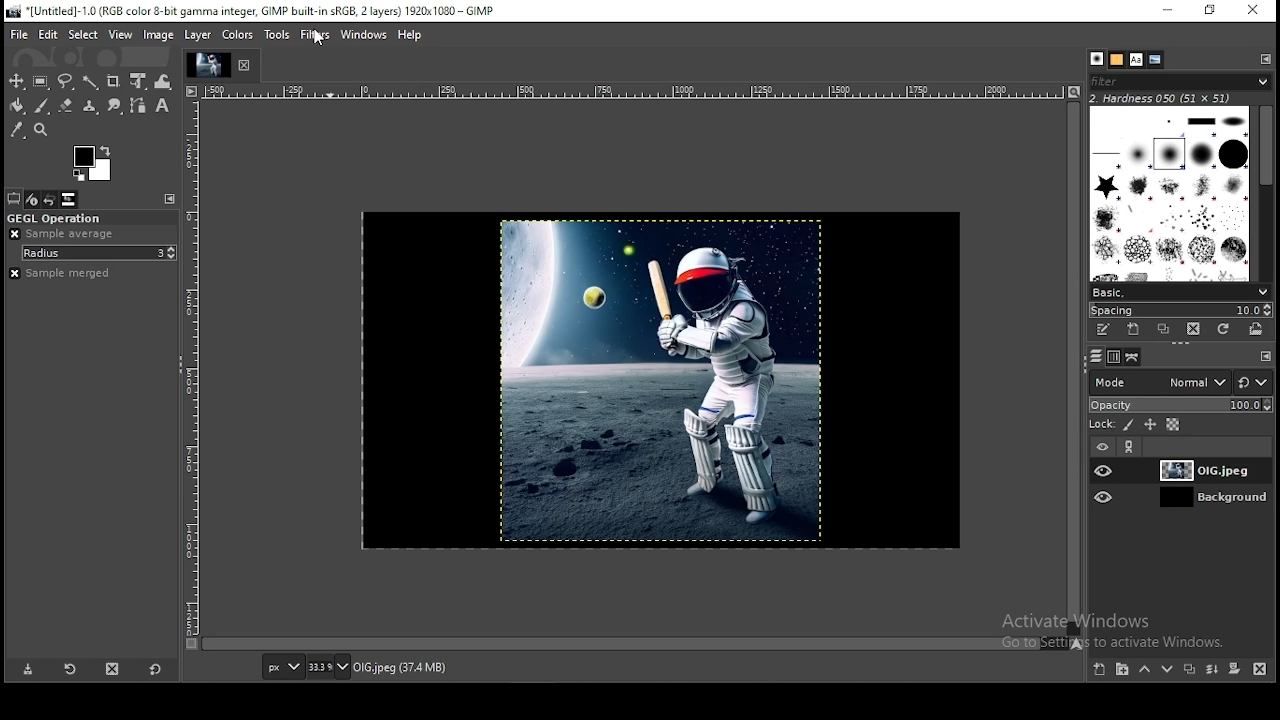 The image size is (1280, 720). What do you see at coordinates (319, 39) in the screenshot?
I see `mouse pointer` at bounding box center [319, 39].